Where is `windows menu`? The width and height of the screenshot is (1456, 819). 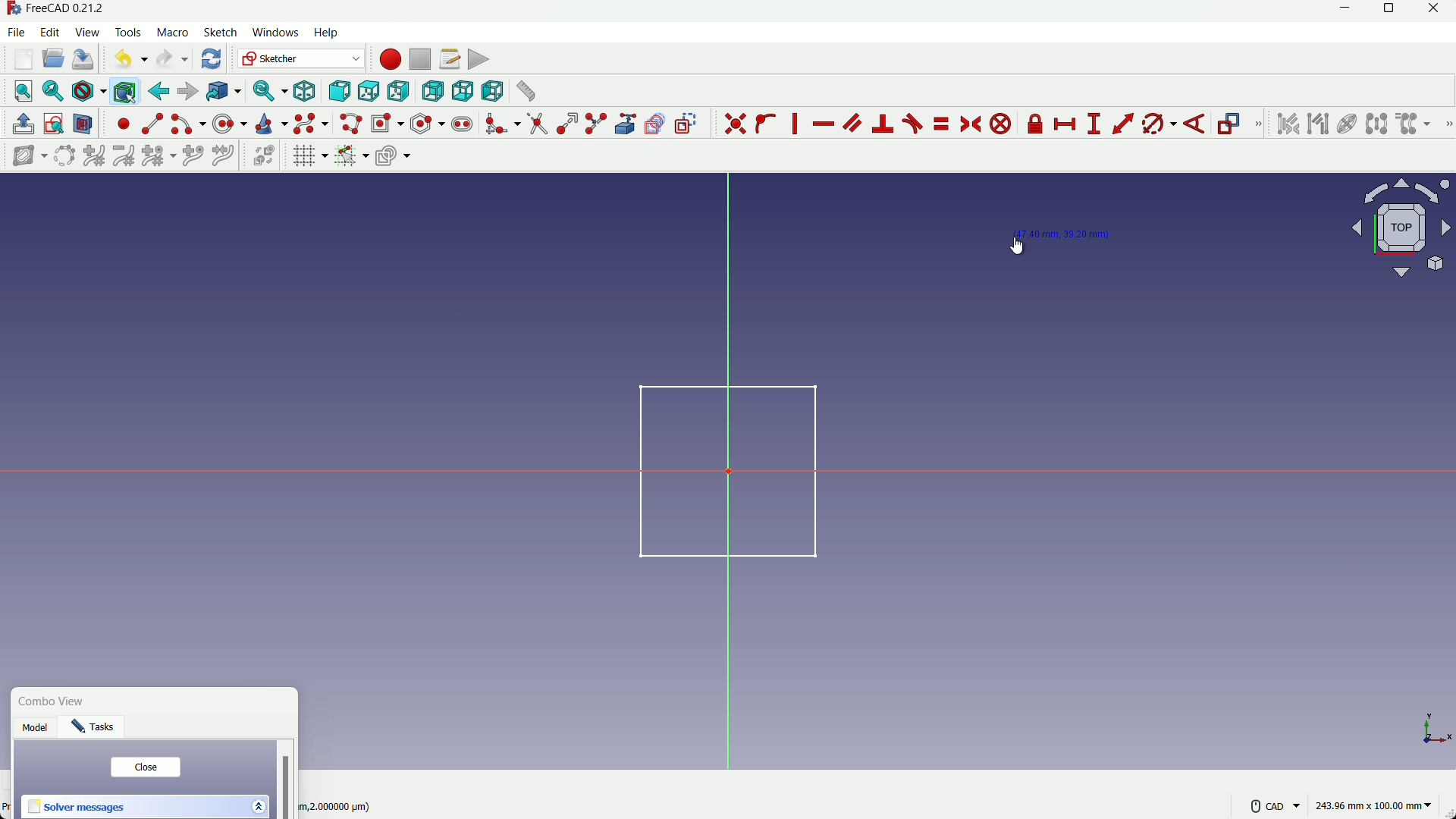 windows menu is located at coordinates (275, 33).